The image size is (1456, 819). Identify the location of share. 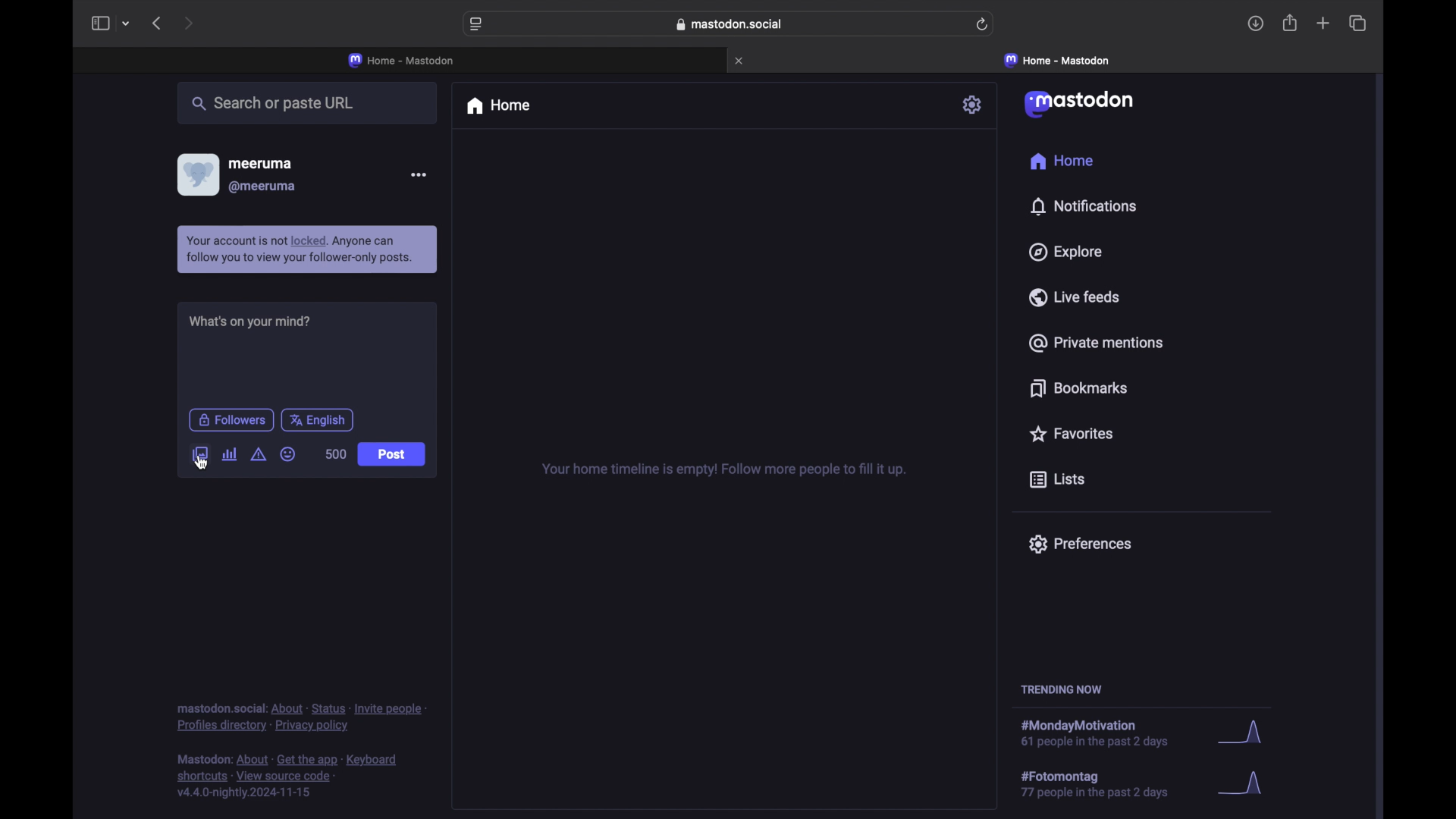
(1289, 24).